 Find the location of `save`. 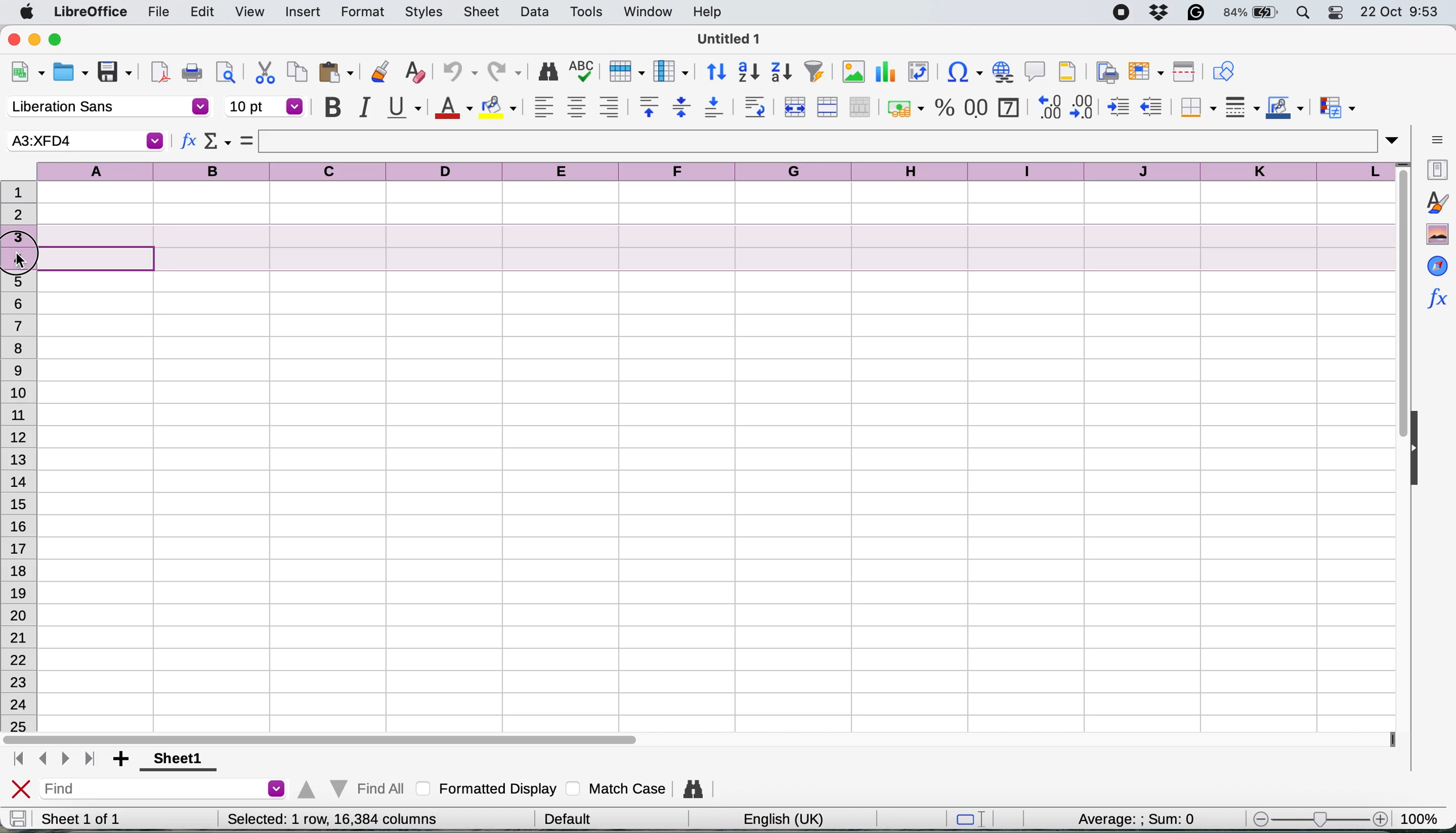

save is located at coordinates (116, 73).